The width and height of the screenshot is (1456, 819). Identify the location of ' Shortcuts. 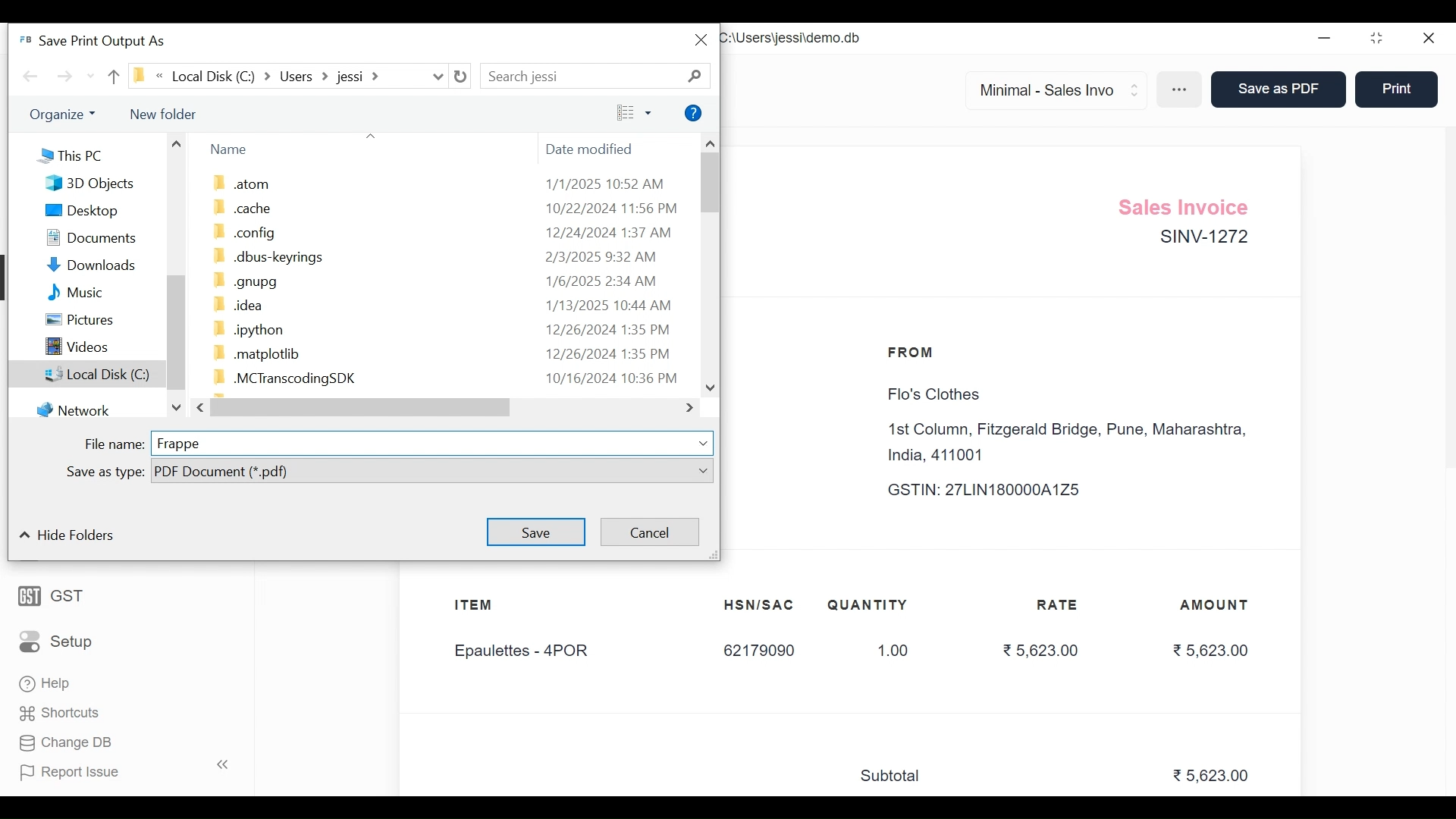
(64, 713).